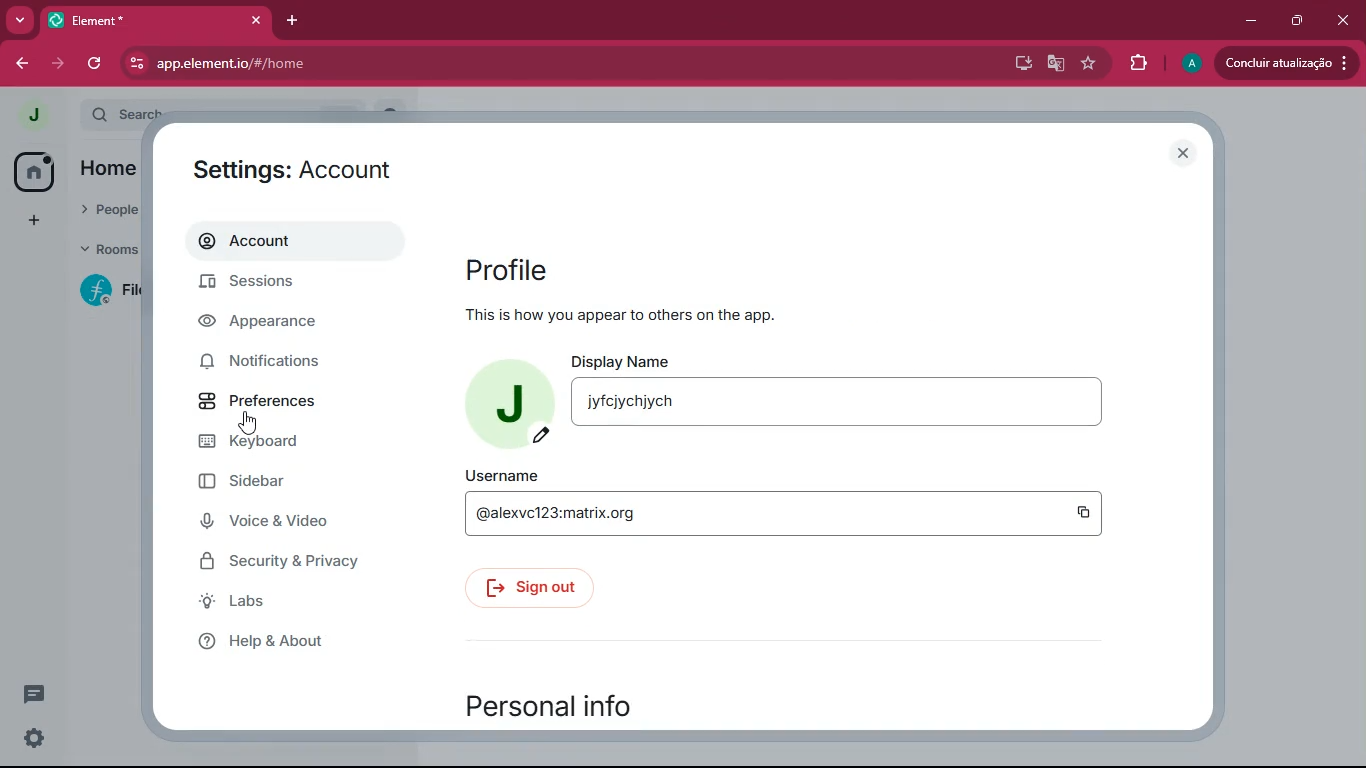 This screenshot has width=1366, height=768. I want to click on security & Privacy, so click(289, 563).